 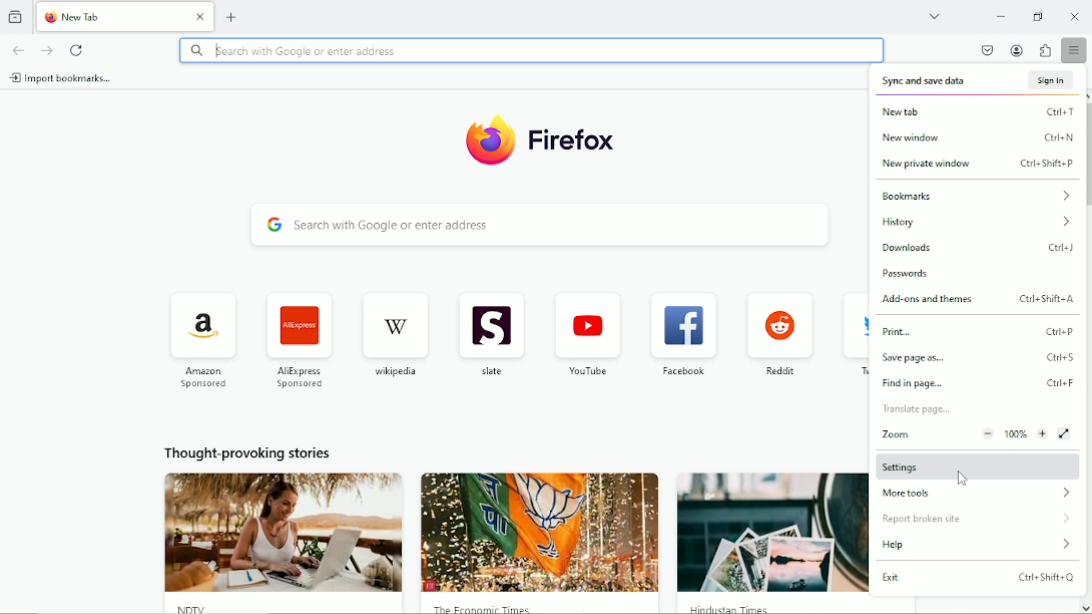 What do you see at coordinates (1072, 16) in the screenshot?
I see `Close` at bounding box center [1072, 16].